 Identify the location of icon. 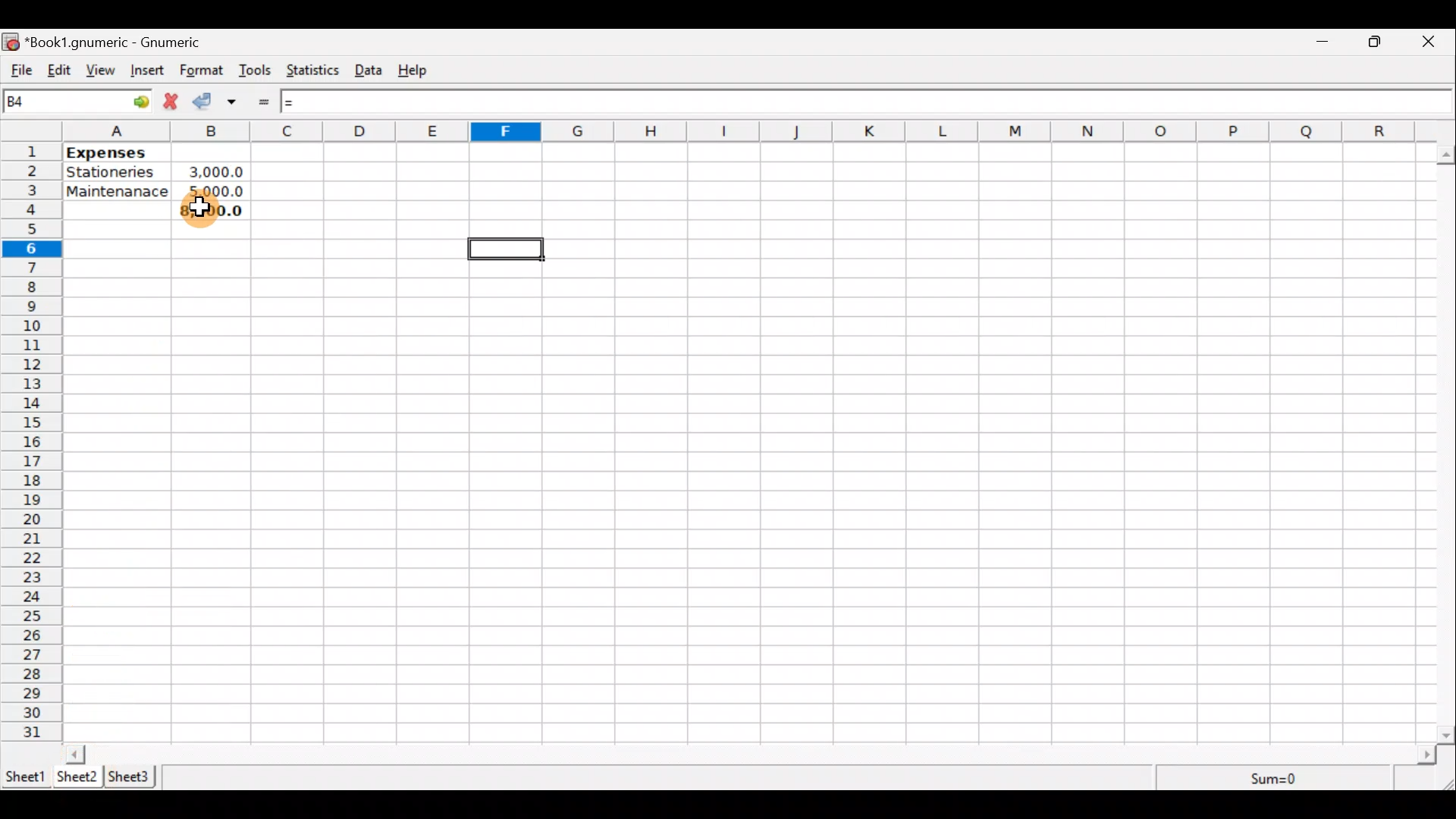
(12, 42).